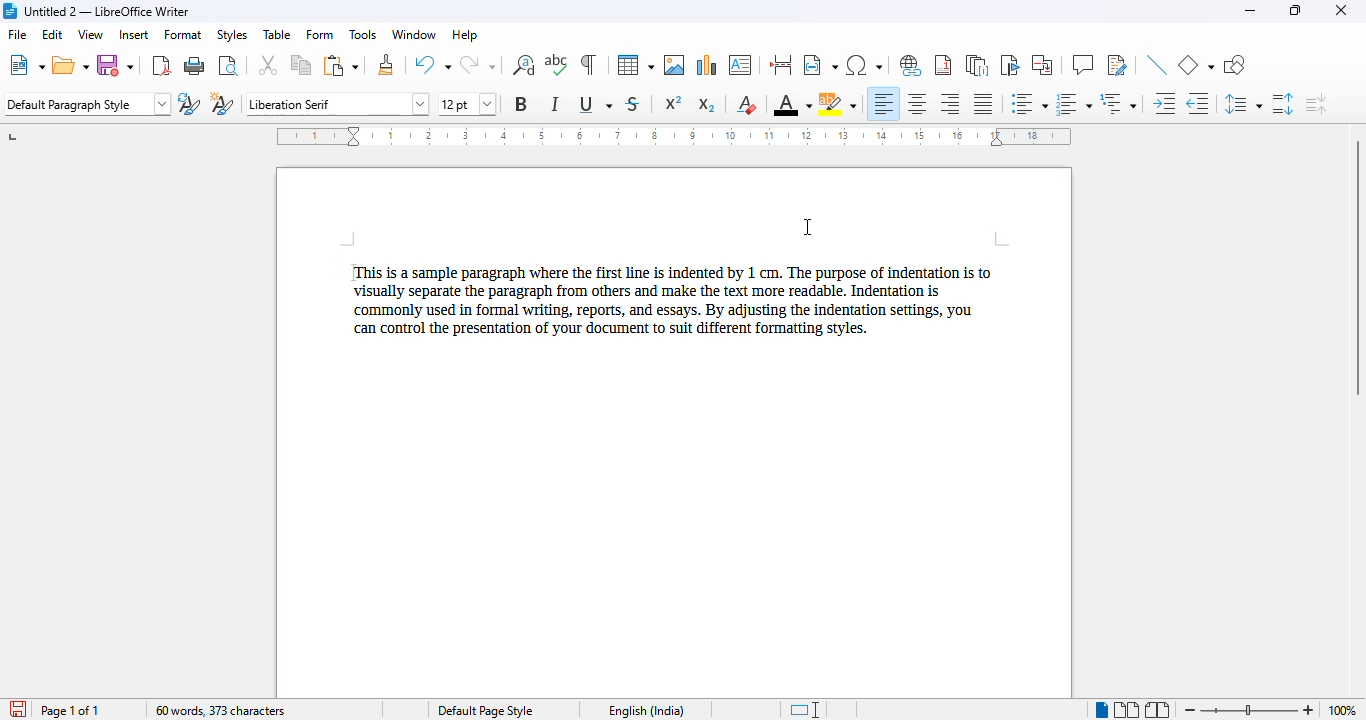 This screenshot has height=720, width=1366. What do you see at coordinates (595, 103) in the screenshot?
I see `underline` at bounding box center [595, 103].